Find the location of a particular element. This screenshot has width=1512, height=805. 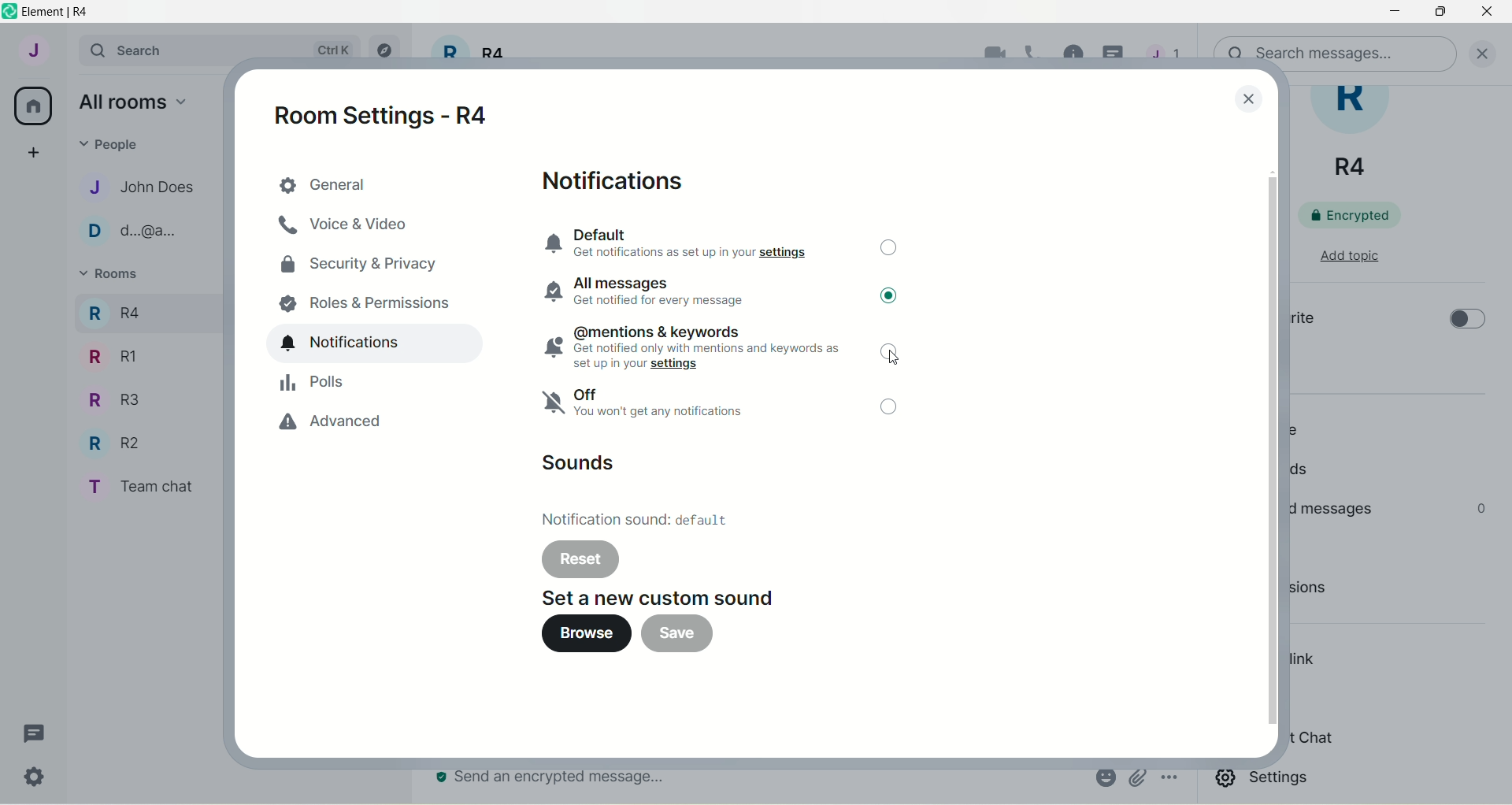

threads is located at coordinates (1305, 472).